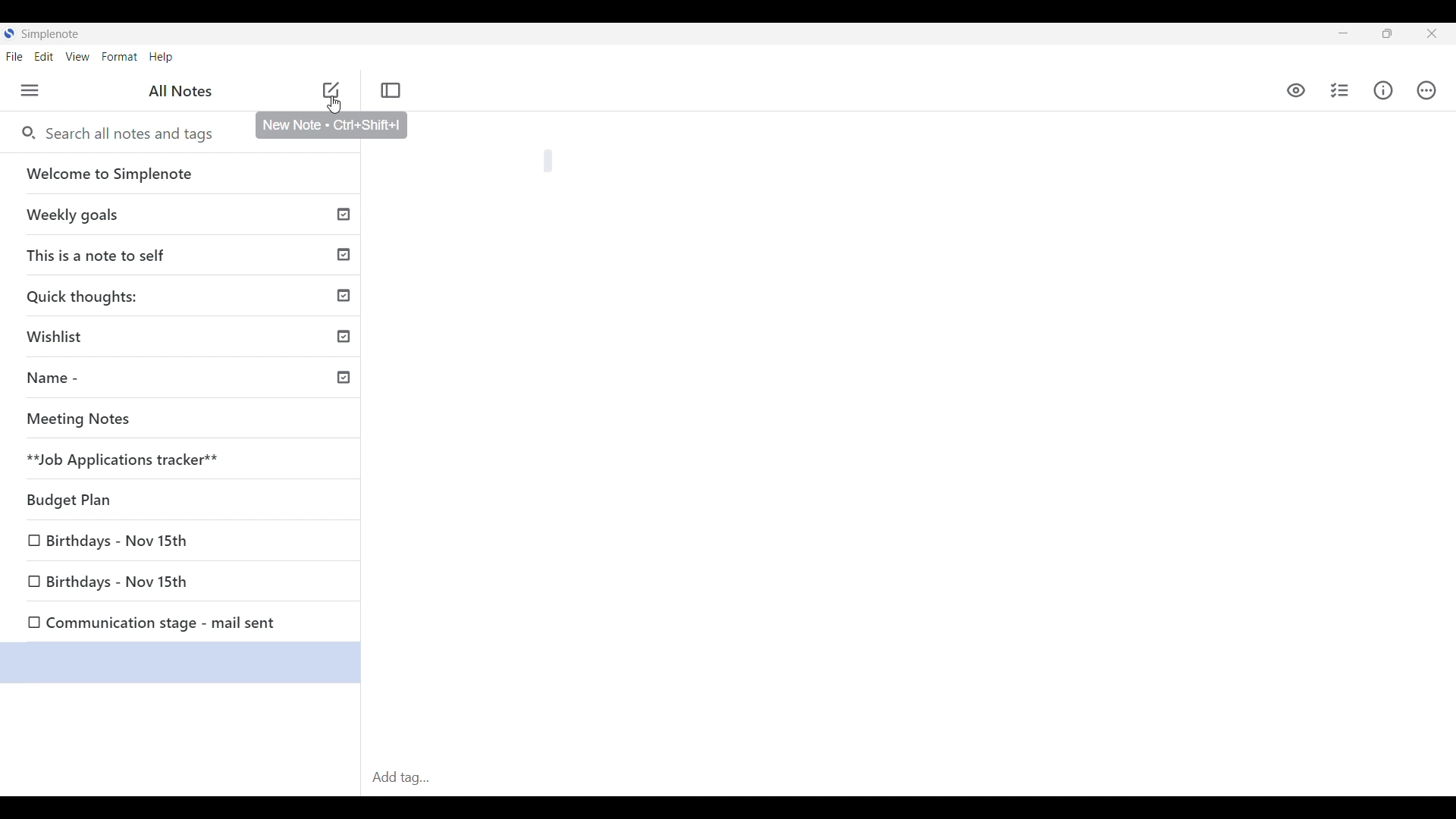  What do you see at coordinates (120, 57) in the screenshot?
I see `Format` at bounding box center [120, 57].